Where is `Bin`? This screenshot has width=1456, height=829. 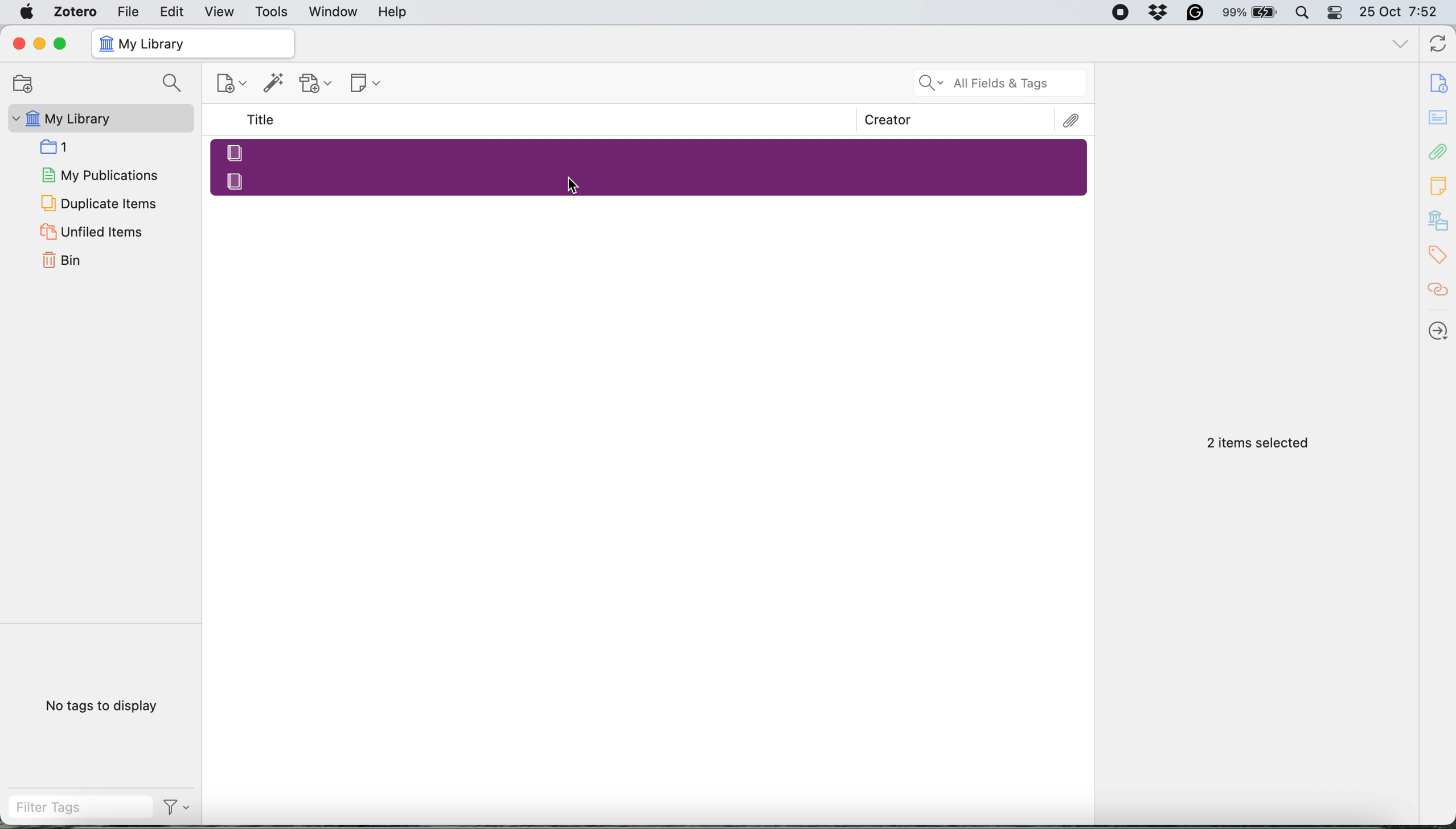
Bin is located at coordinates (76, 258).